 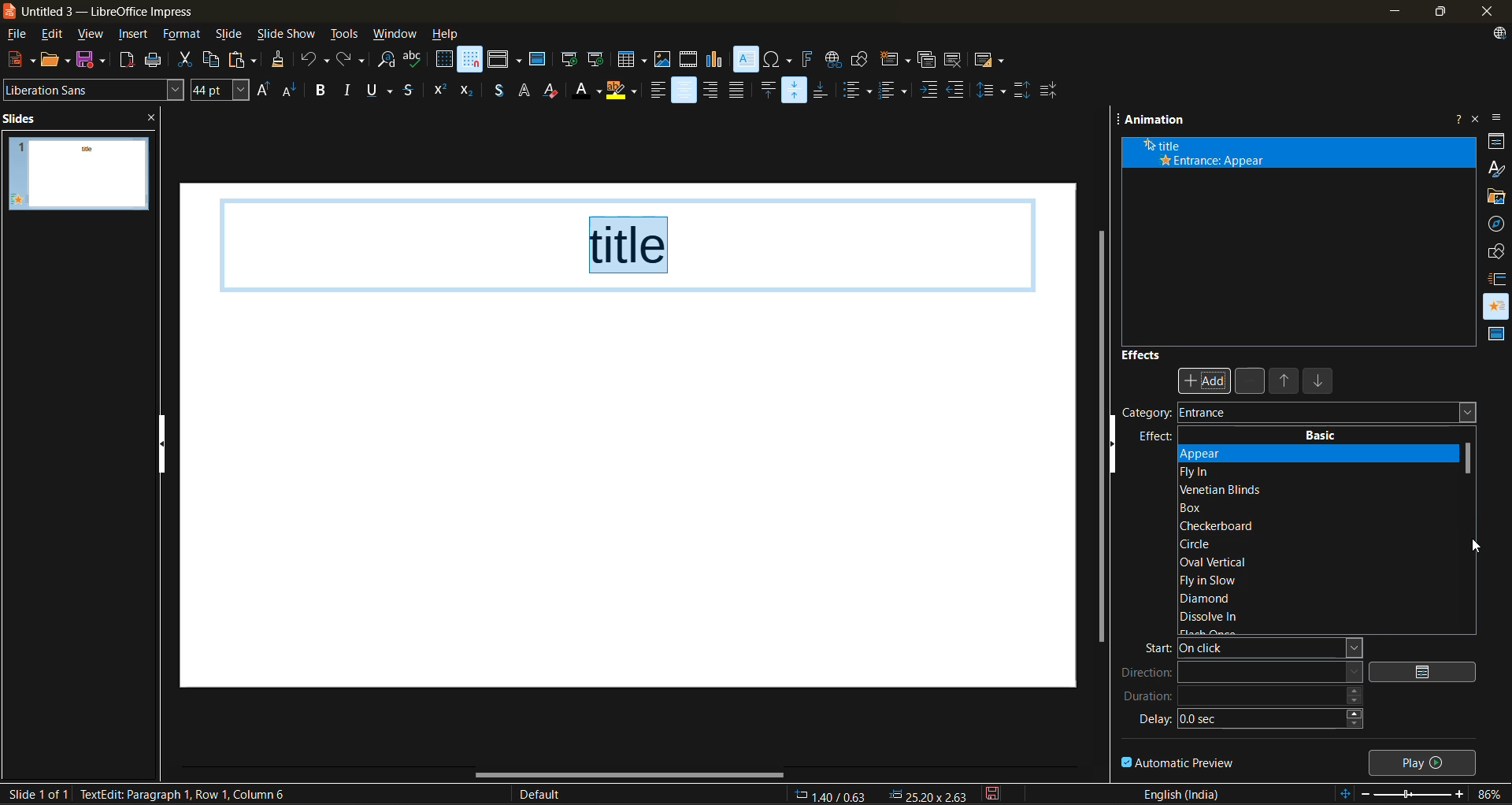 I want to click on close pane, so click(x=159, y=120).